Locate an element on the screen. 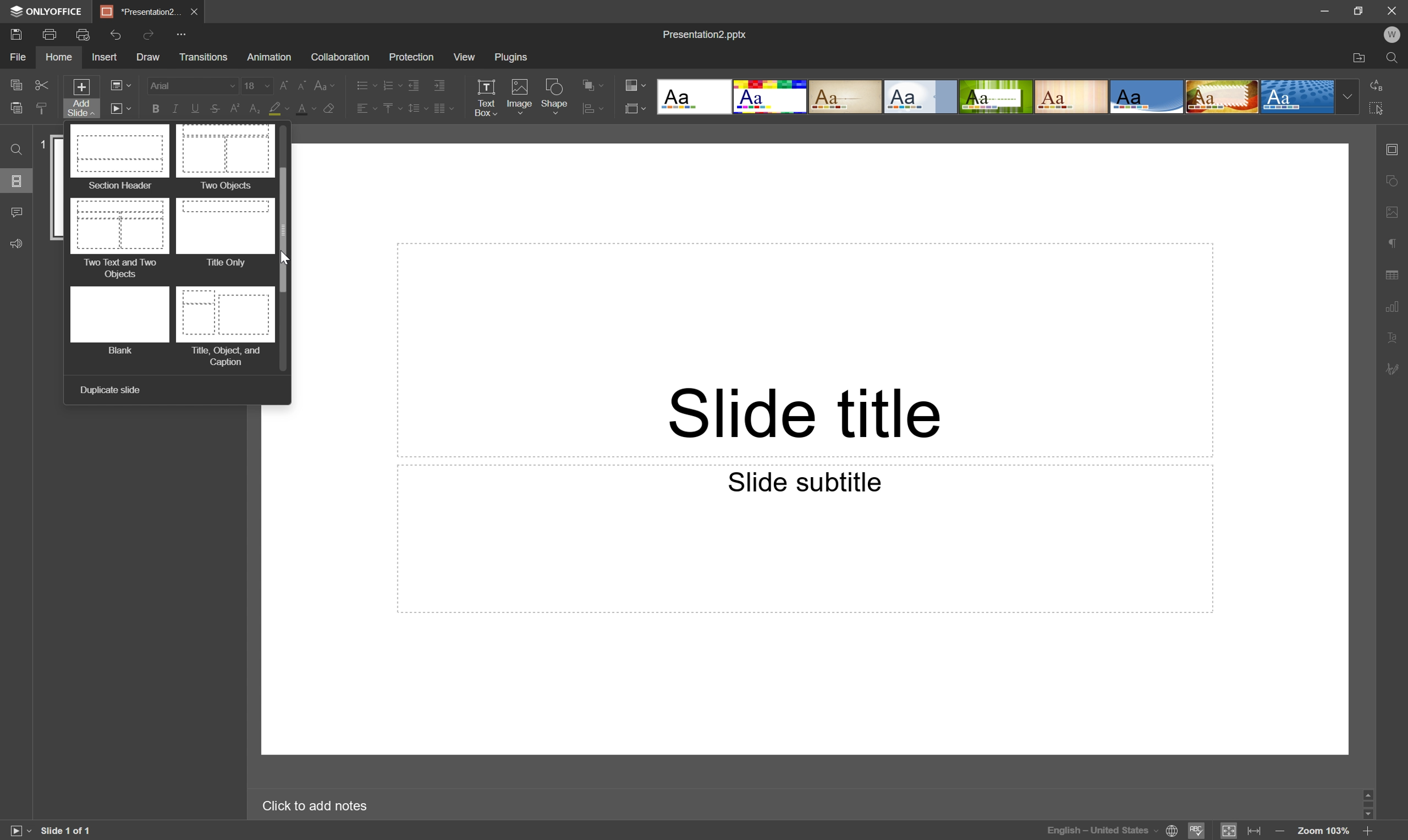 This screenshot has width=1408, height=840. Strikethrough is located at coordinates (213, 109).